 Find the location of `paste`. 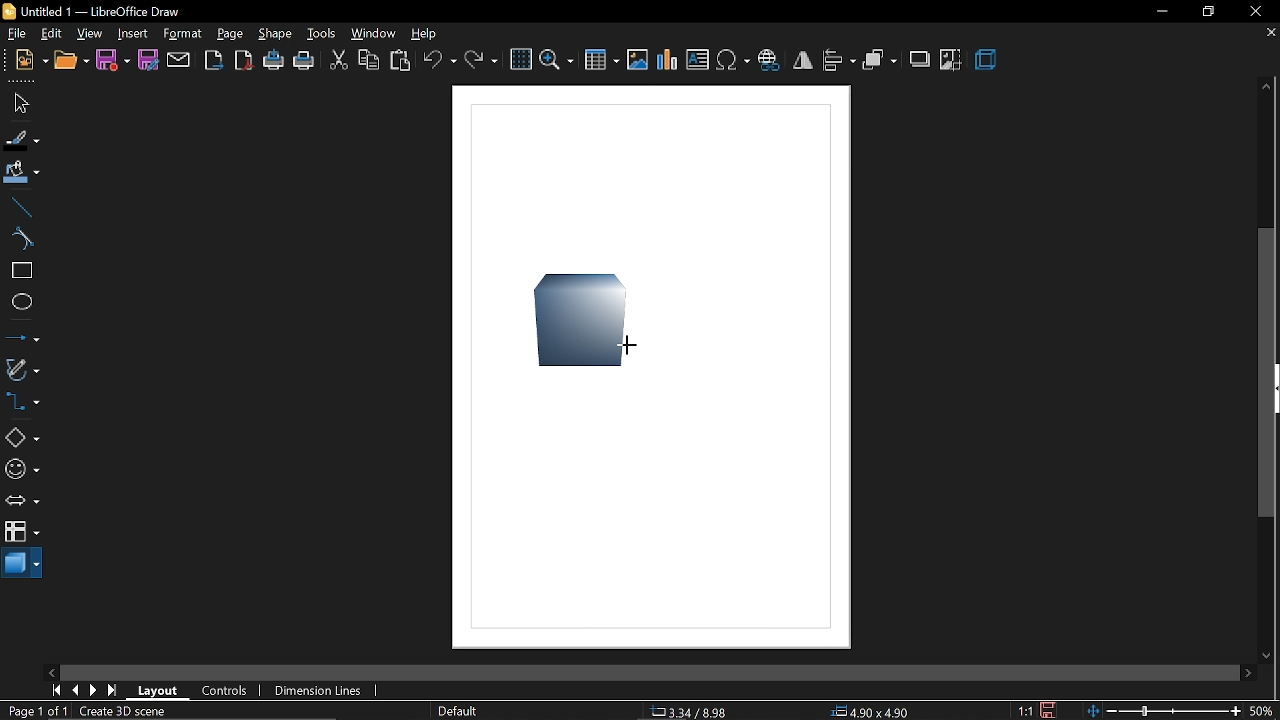

paste is located at coordinates (402, 62).